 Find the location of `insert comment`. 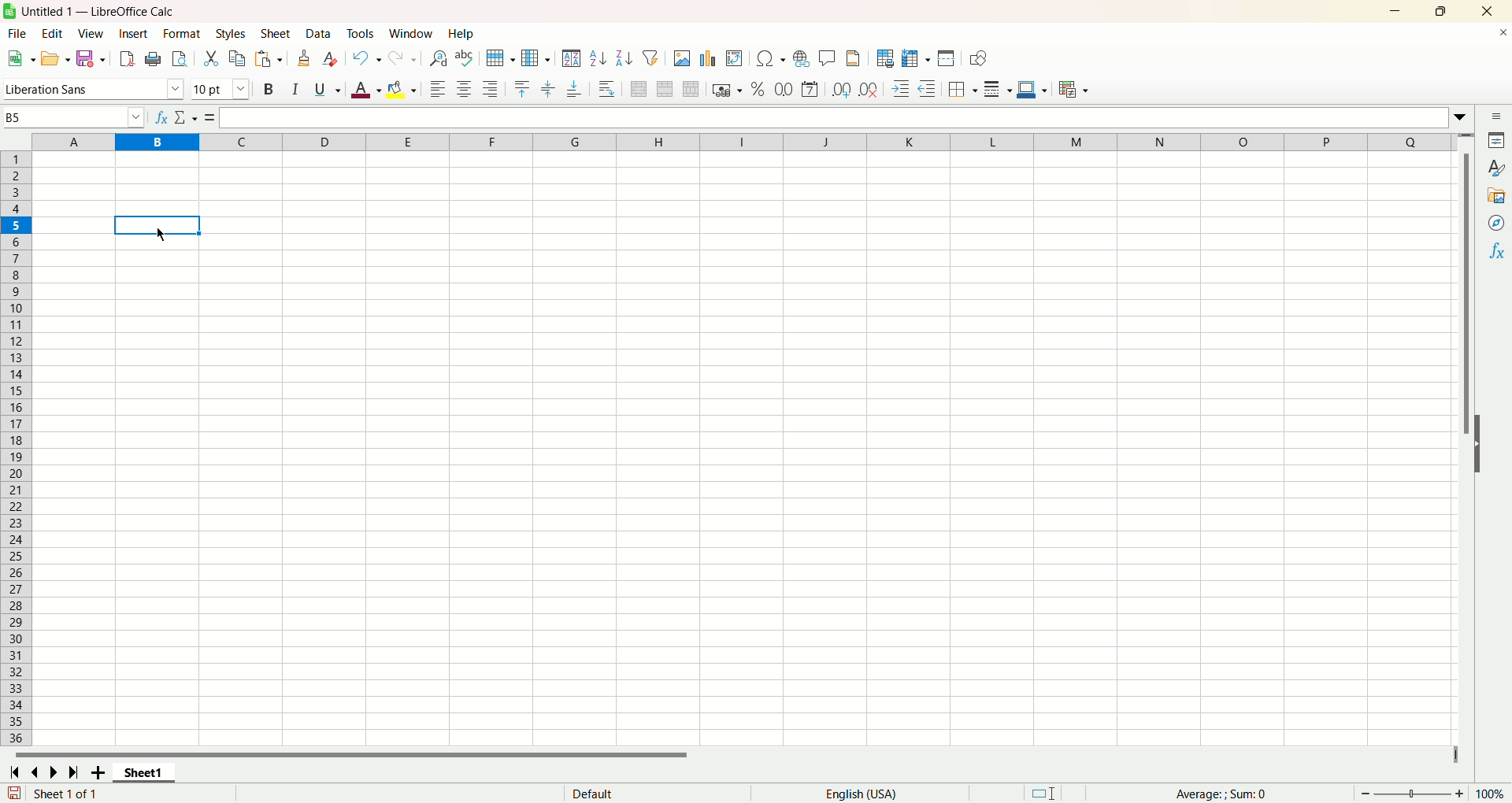

insert comment is located at coordinates (828, 57).